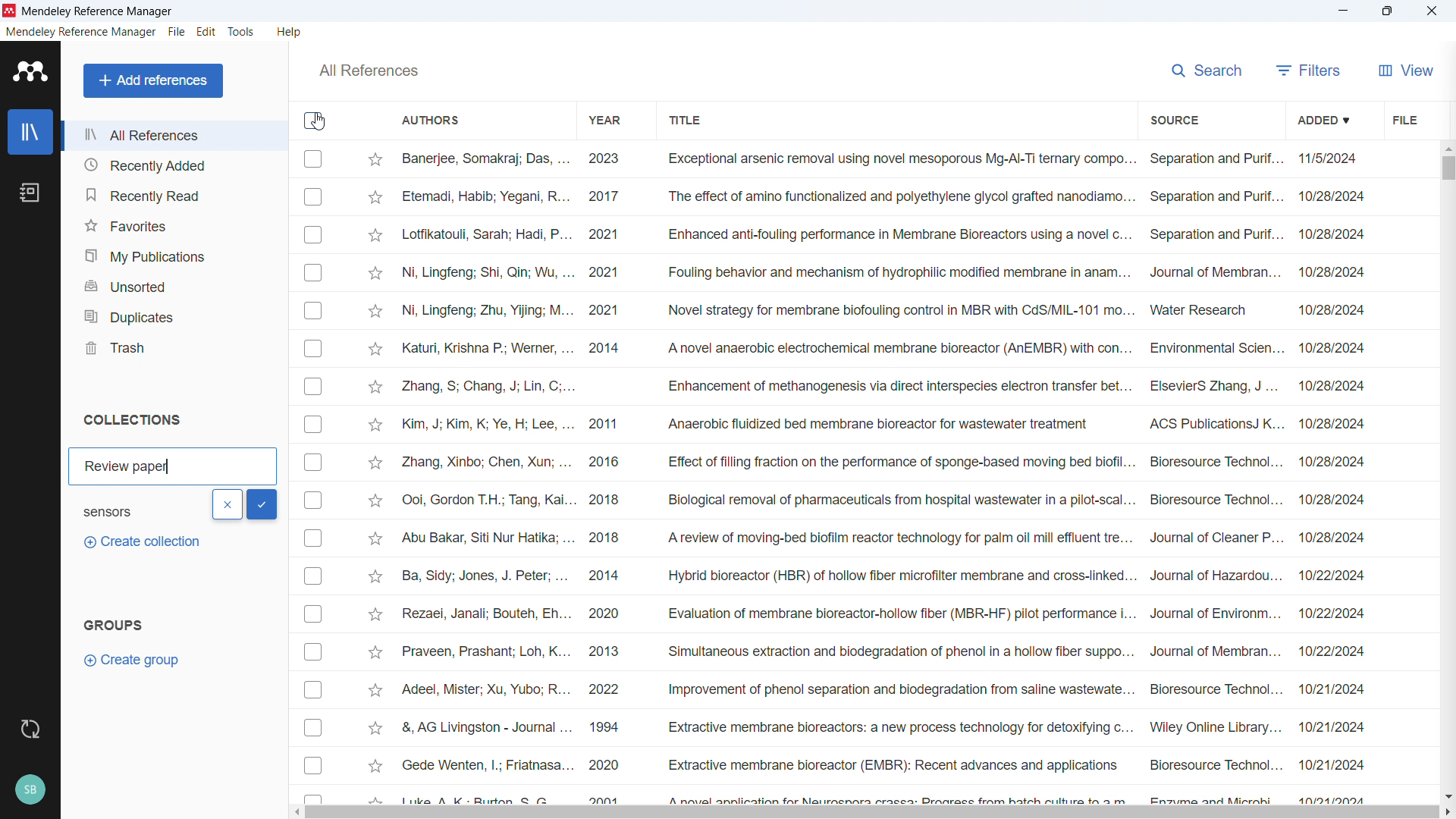 This screenshot has width=1456, height=819. Describe the element at coordinates (152, 80) in the screenshot. I see `Add references ` at that location.